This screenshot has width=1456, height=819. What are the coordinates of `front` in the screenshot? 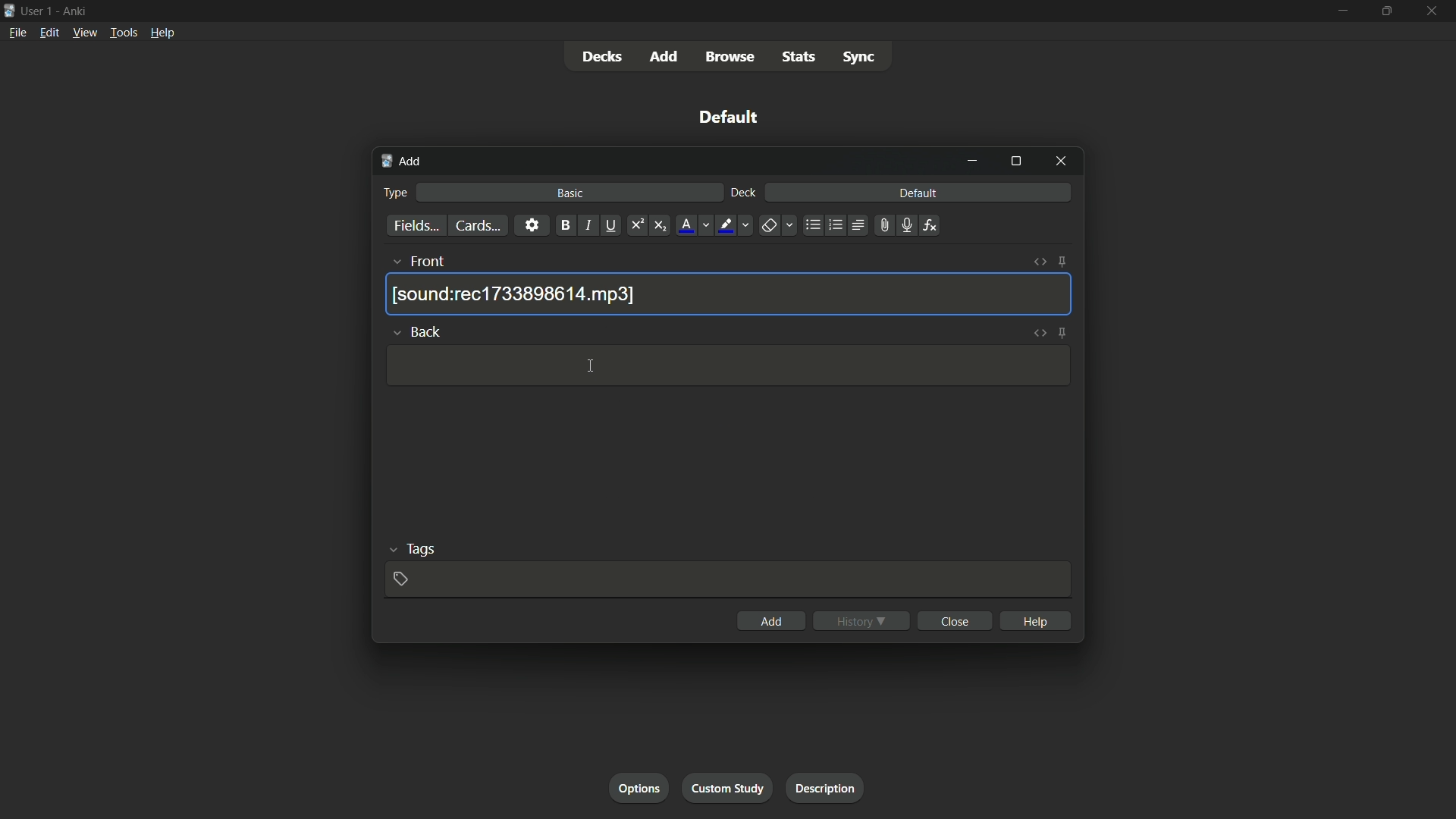 It's located at (429, 262).